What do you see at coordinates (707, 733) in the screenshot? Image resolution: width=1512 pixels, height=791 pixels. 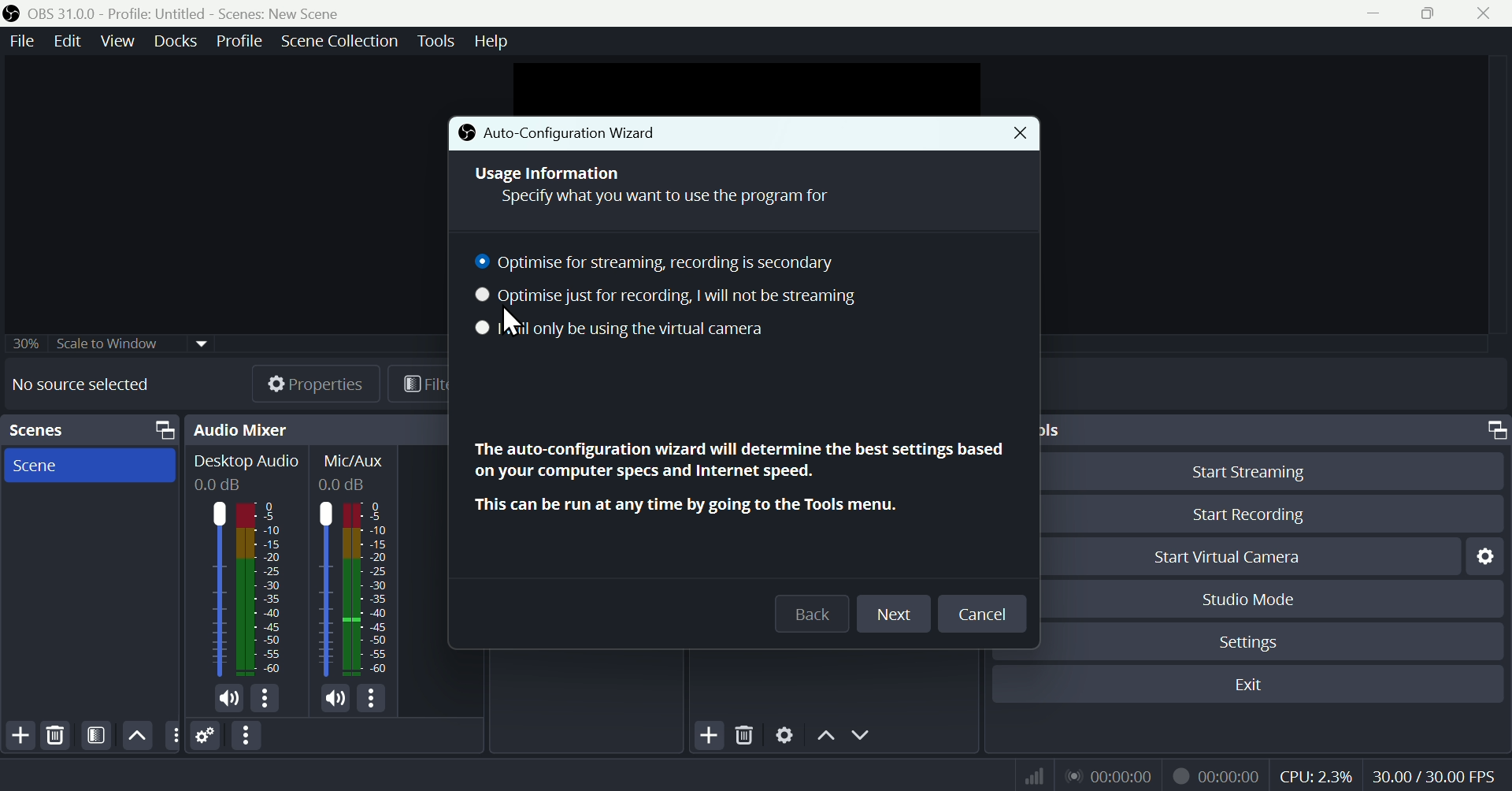 I see `Add` at bounding box center [707, 733].